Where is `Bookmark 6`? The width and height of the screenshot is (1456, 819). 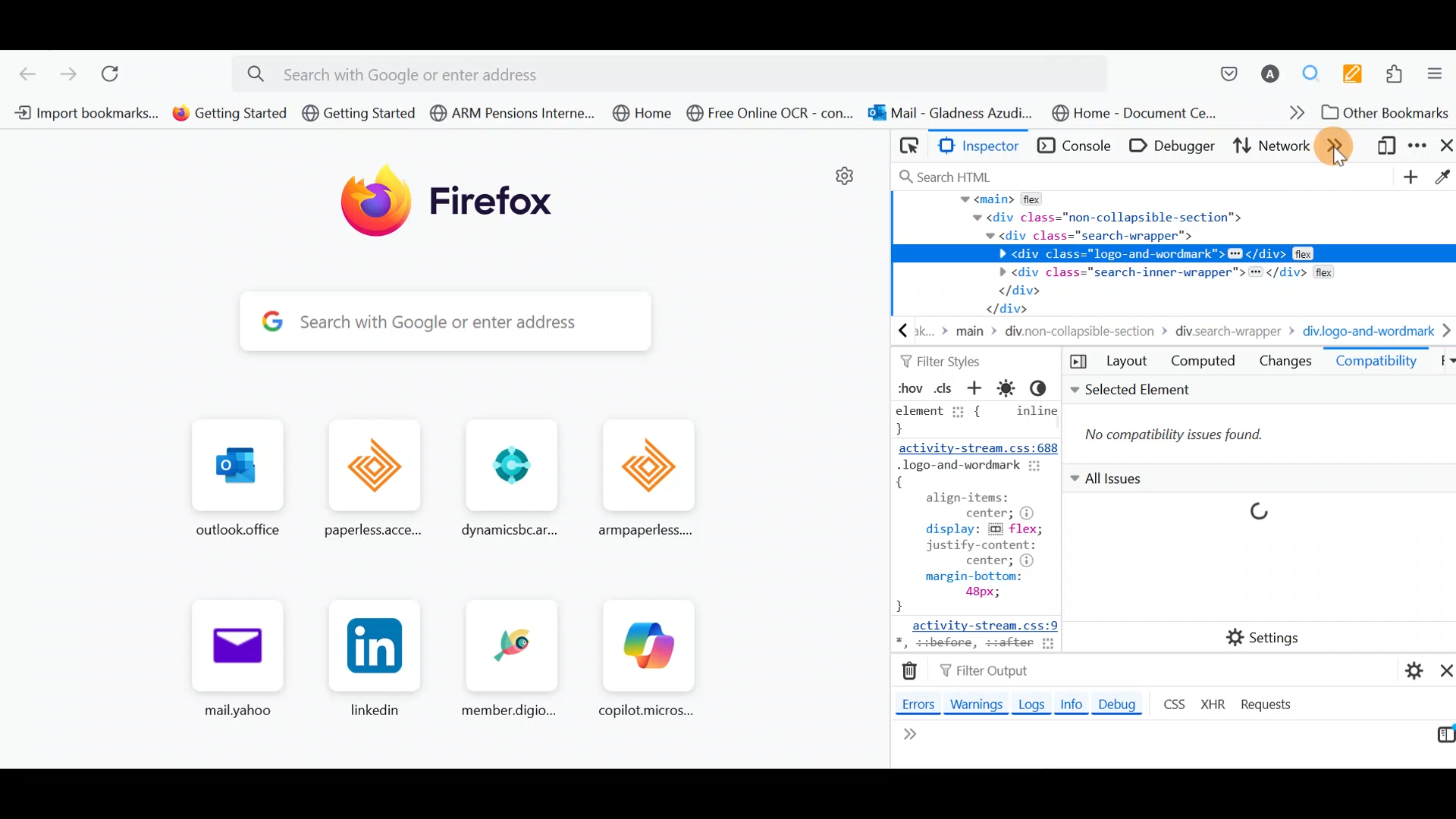
Bookmark 6 is located at coordinates (770, 117).